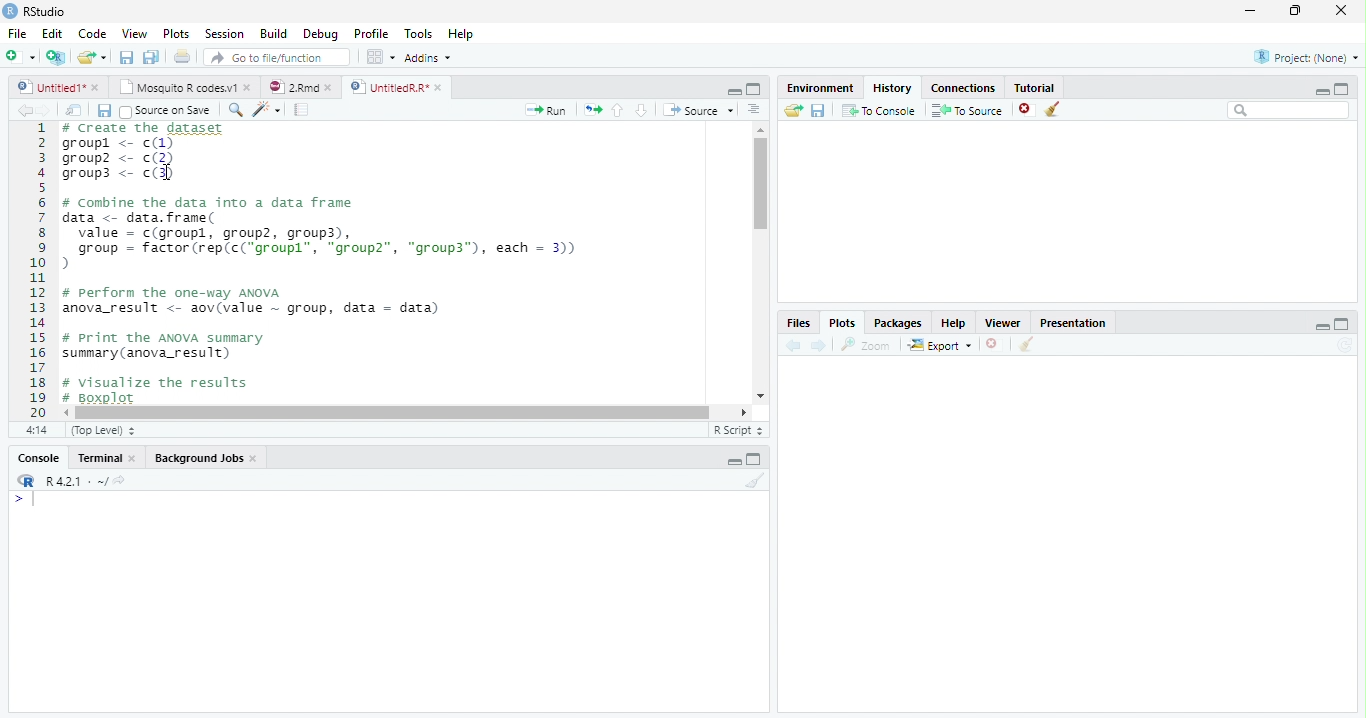 This screenshot has width=1366, height=718. Describe the element at coordinates (758, 263) in the screenshot. I see `Scrollbar` at that location.